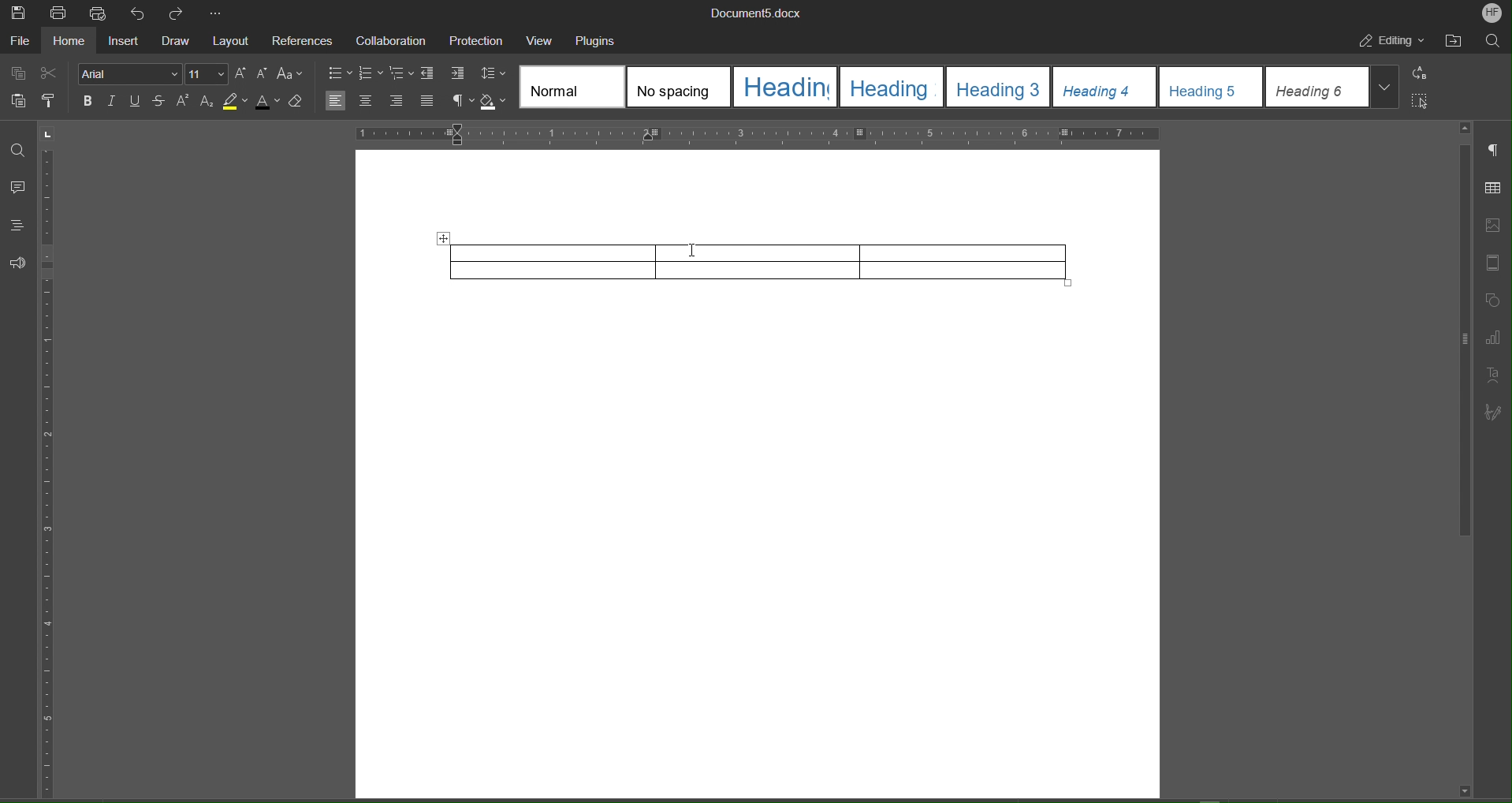  Describe the element at coordinates (894, 88) in the screenshot. I see `heading 2` at that location.